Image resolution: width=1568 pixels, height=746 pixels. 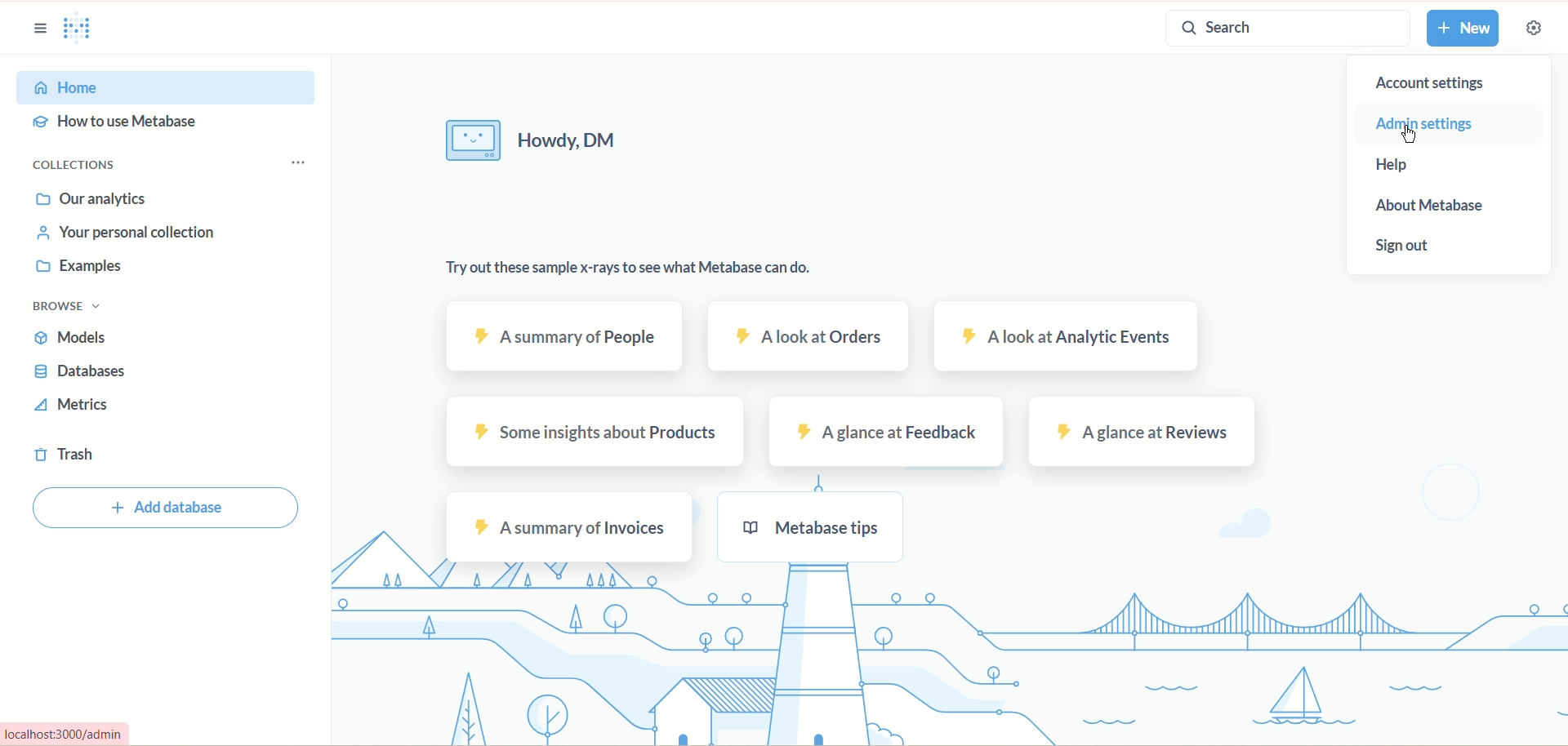 I want to click on sign out, so click(x=1408, y=248).